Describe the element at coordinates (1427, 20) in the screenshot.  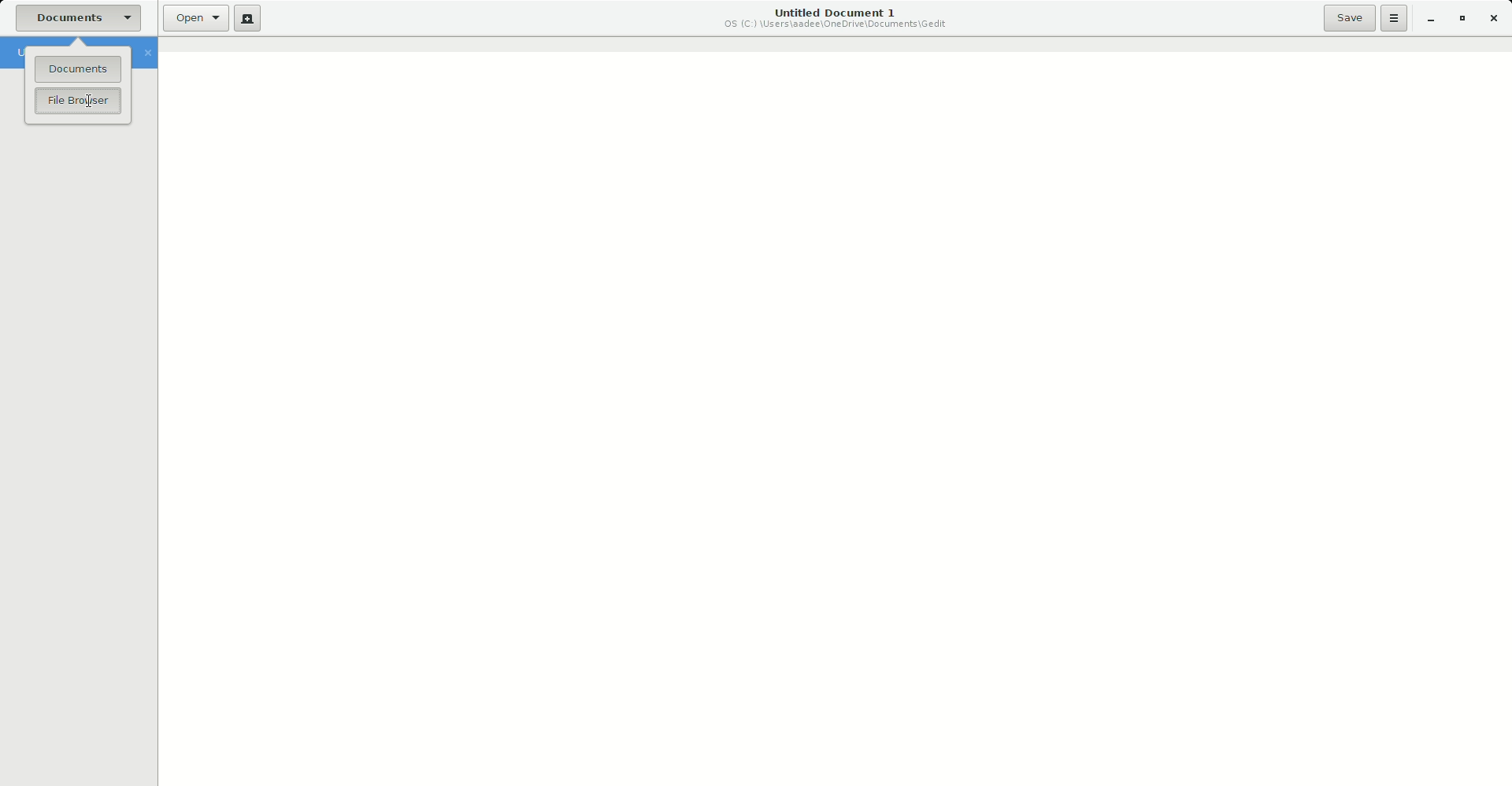
I see `Minimize` at that location.